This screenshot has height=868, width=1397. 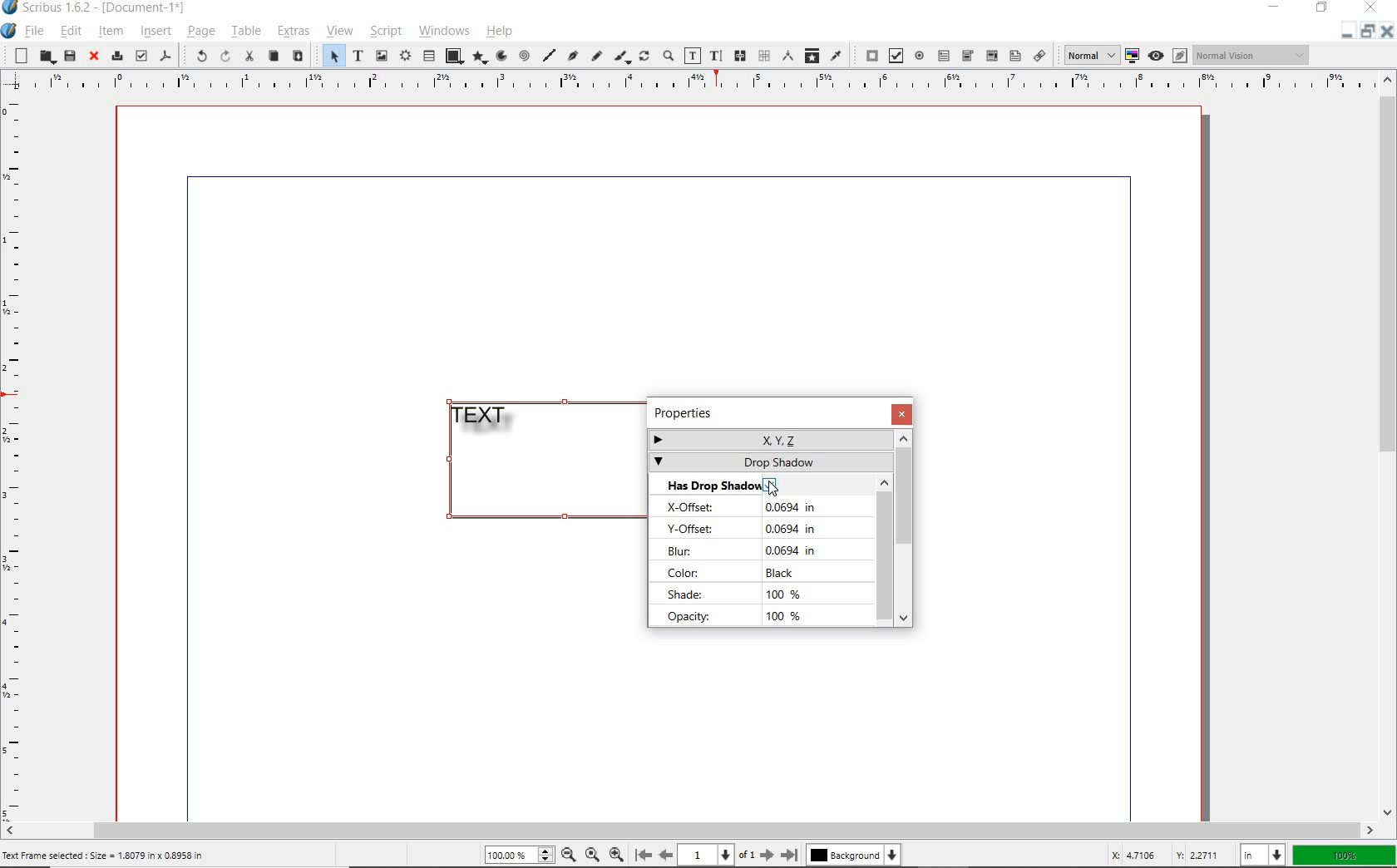 I want to click on new, so click(x=21, y=55).